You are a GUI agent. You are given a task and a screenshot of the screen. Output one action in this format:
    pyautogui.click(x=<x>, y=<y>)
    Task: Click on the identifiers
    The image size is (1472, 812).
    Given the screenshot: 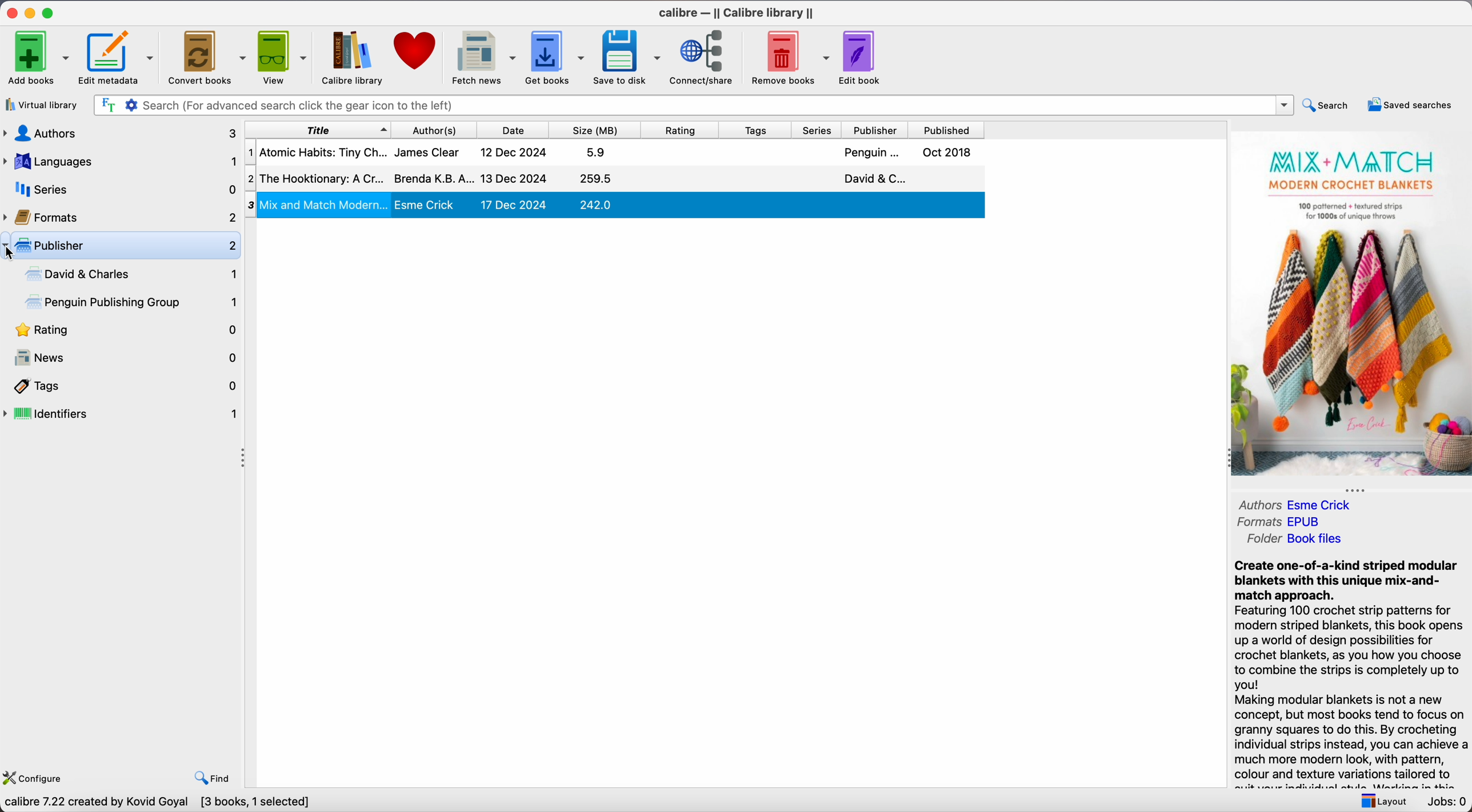 What is the action you would take?
    pyautogui.click(x=122, y=415)
    